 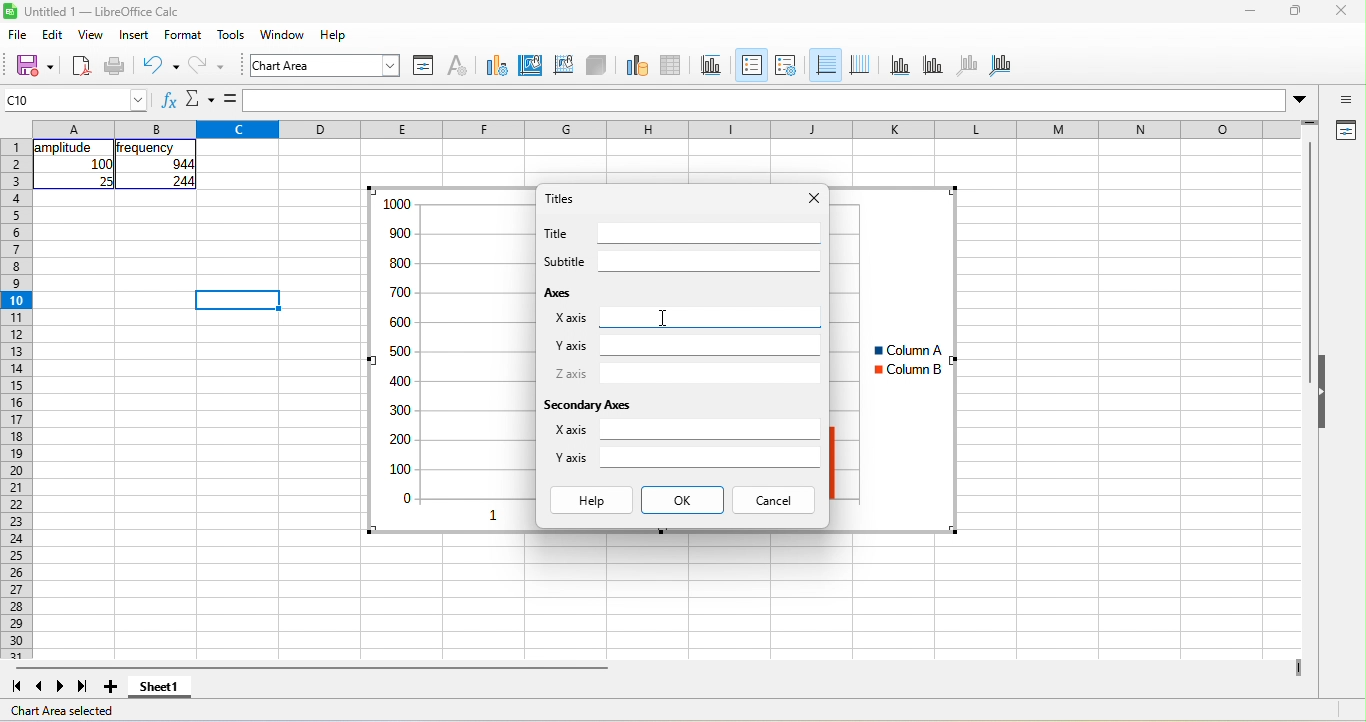 What do you see at coordinates (60, 687) in the screenshot?
I see `next sheet` at bounding box center [60, 687].